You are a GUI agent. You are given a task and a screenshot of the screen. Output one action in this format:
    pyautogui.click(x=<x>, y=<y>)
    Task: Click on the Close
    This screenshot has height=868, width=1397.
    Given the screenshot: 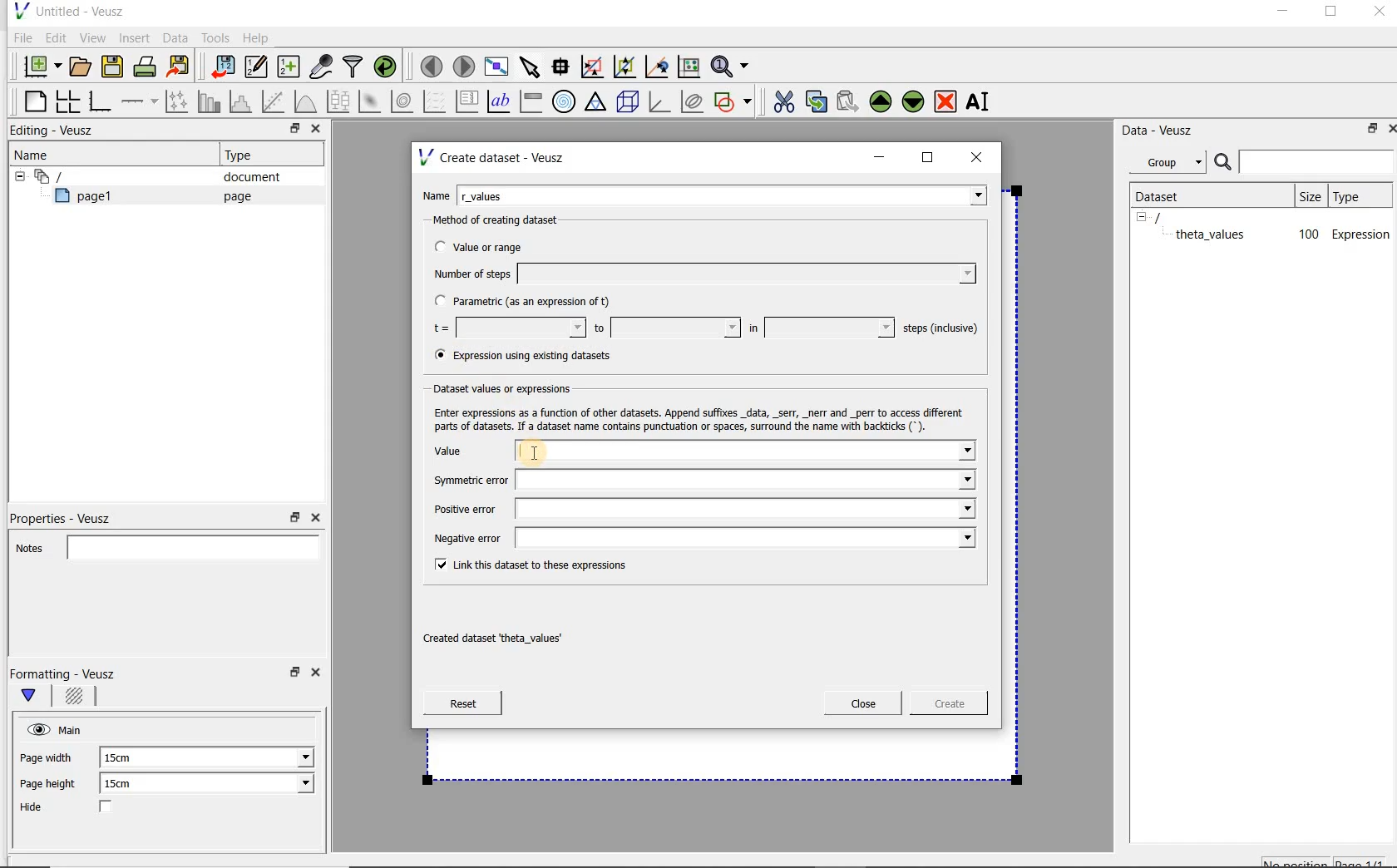 What is the action you would take?
    pyautogui.click(x=314, y=131)
    